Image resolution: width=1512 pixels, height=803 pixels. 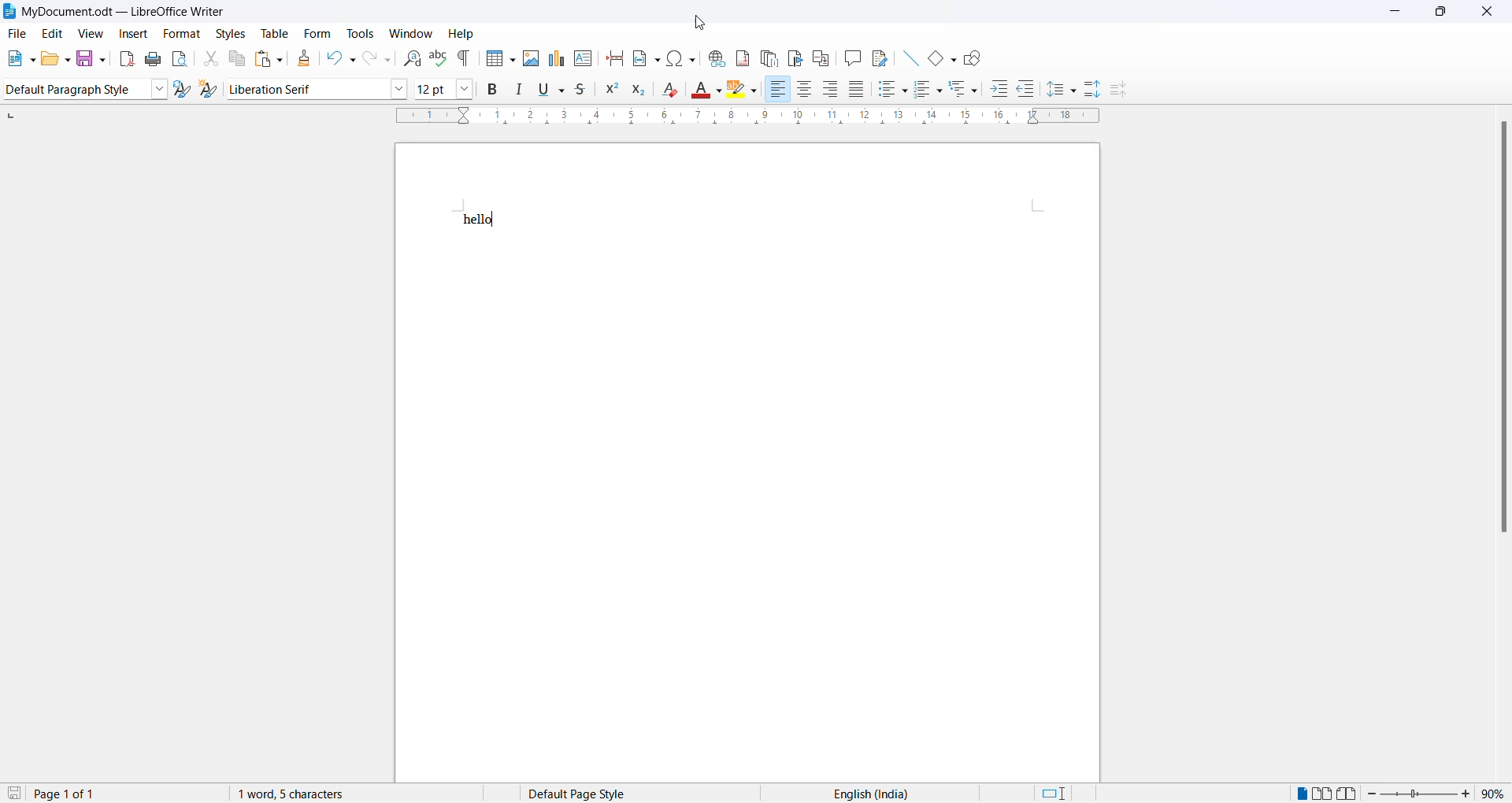 I want to click on page, so click(x=750, y=506).